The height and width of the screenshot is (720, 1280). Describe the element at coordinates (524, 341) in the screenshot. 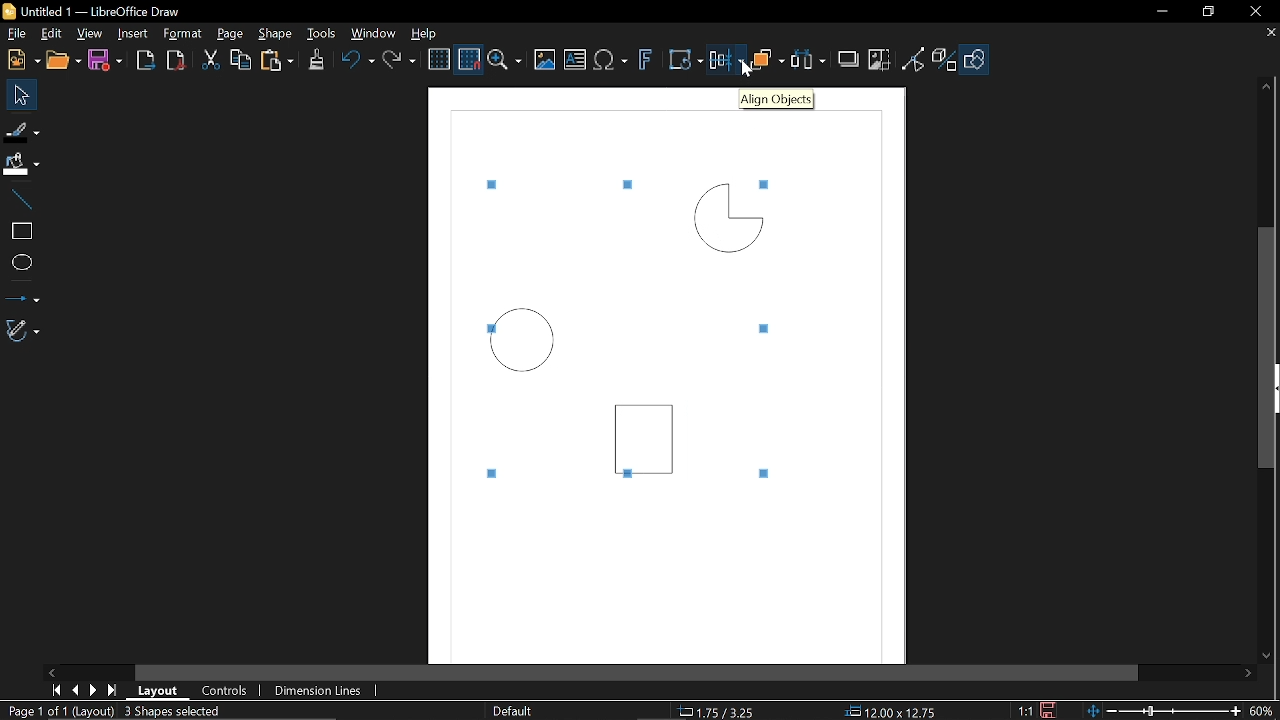

I see `Circle` at that location.